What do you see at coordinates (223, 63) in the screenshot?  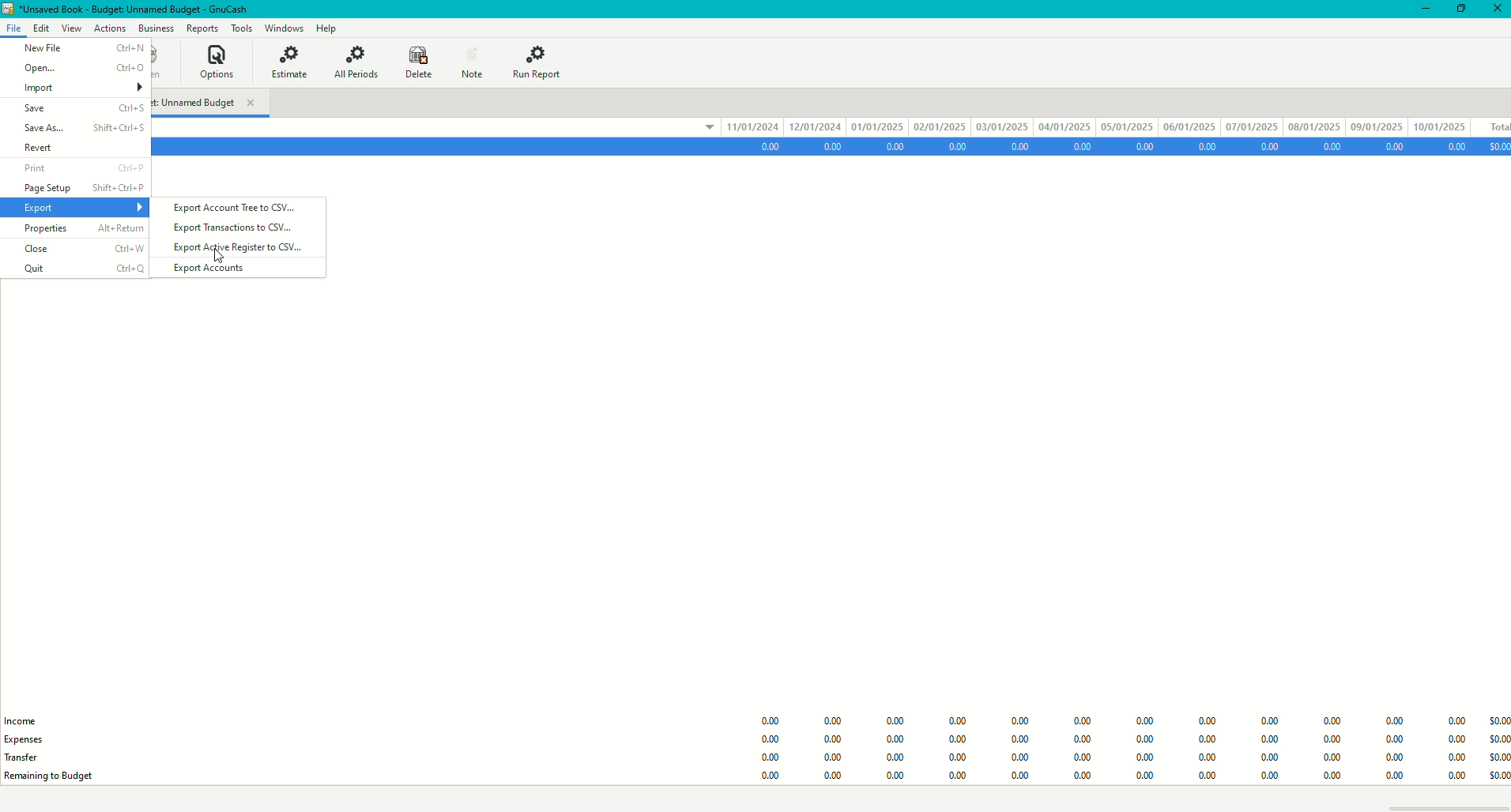 I see `Options` at bounding box center [223, 63].